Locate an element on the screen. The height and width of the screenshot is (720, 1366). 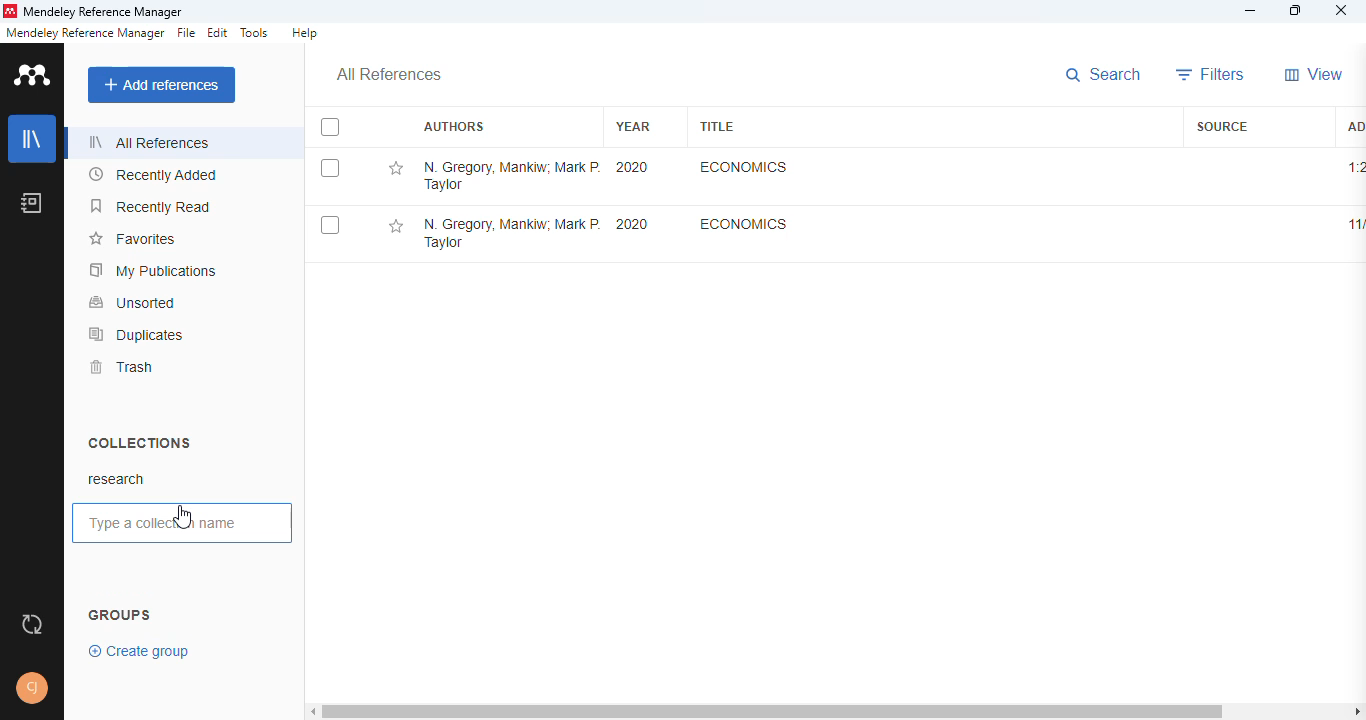
library is located at coordinates (33, 139).